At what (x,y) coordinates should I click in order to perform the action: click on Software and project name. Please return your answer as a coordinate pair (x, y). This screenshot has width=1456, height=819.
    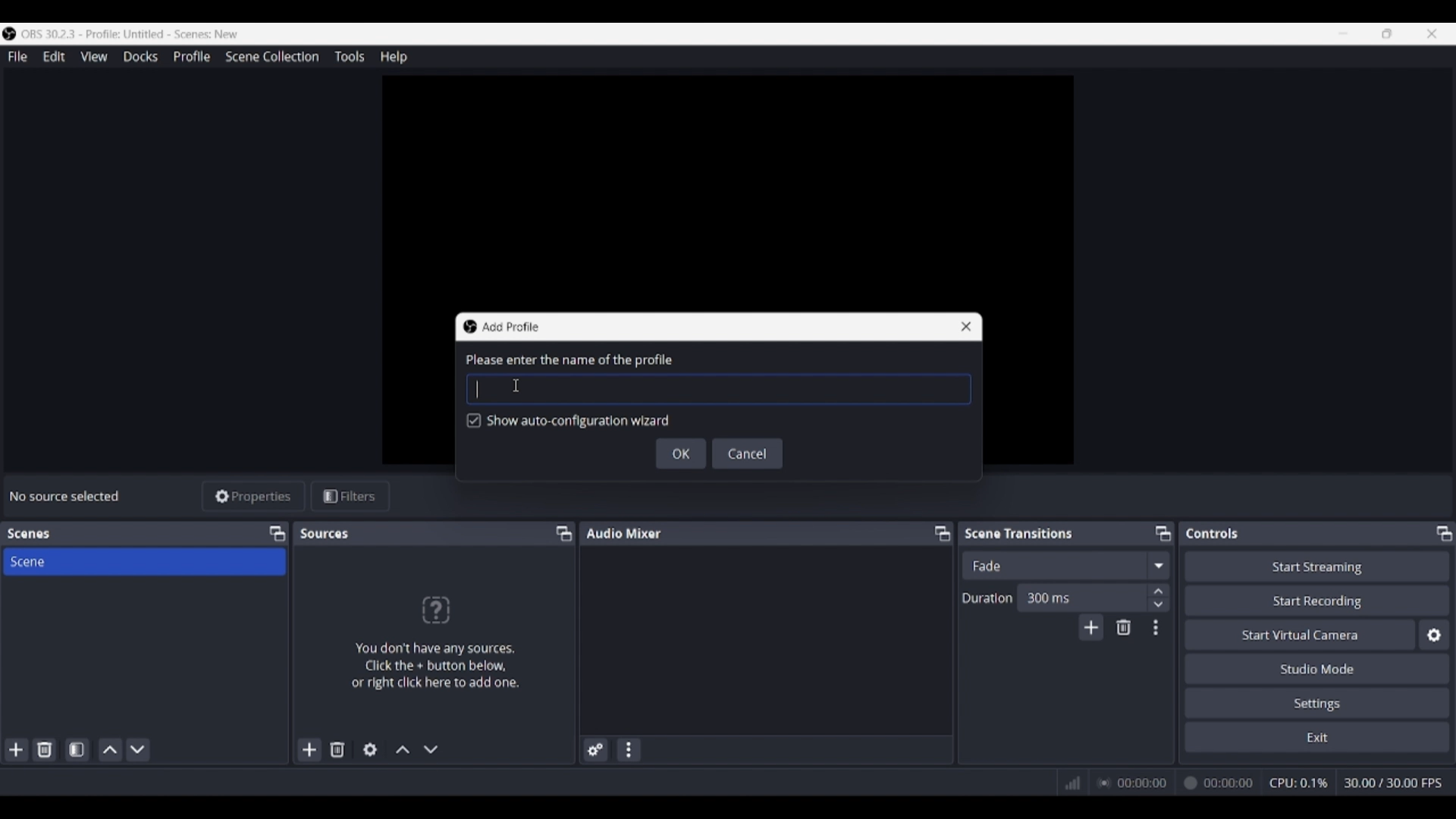
    Looking at the image, I should click on (130, 34).